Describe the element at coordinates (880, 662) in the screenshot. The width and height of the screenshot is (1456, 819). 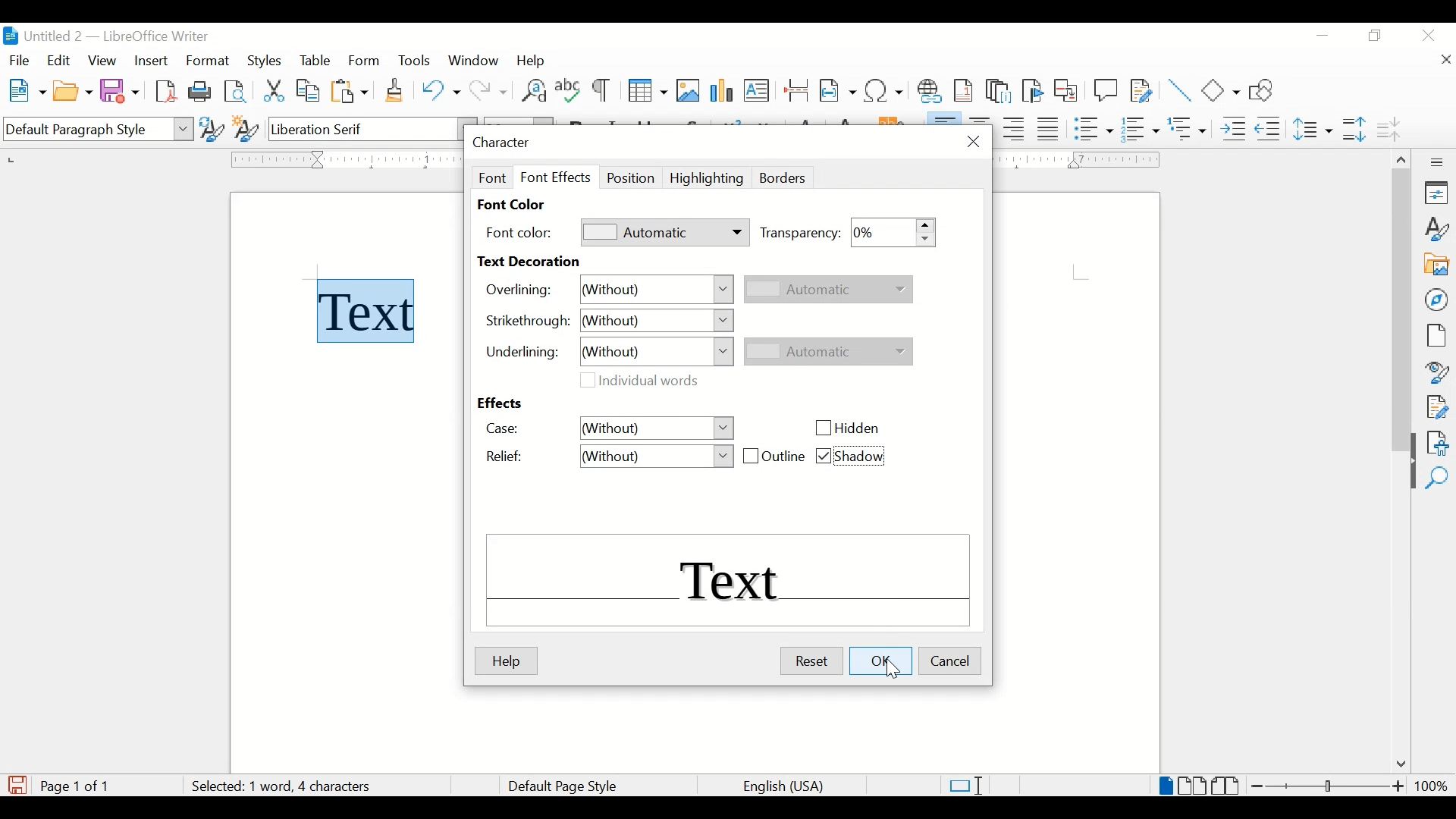
I see `ok highlighted` at that location.